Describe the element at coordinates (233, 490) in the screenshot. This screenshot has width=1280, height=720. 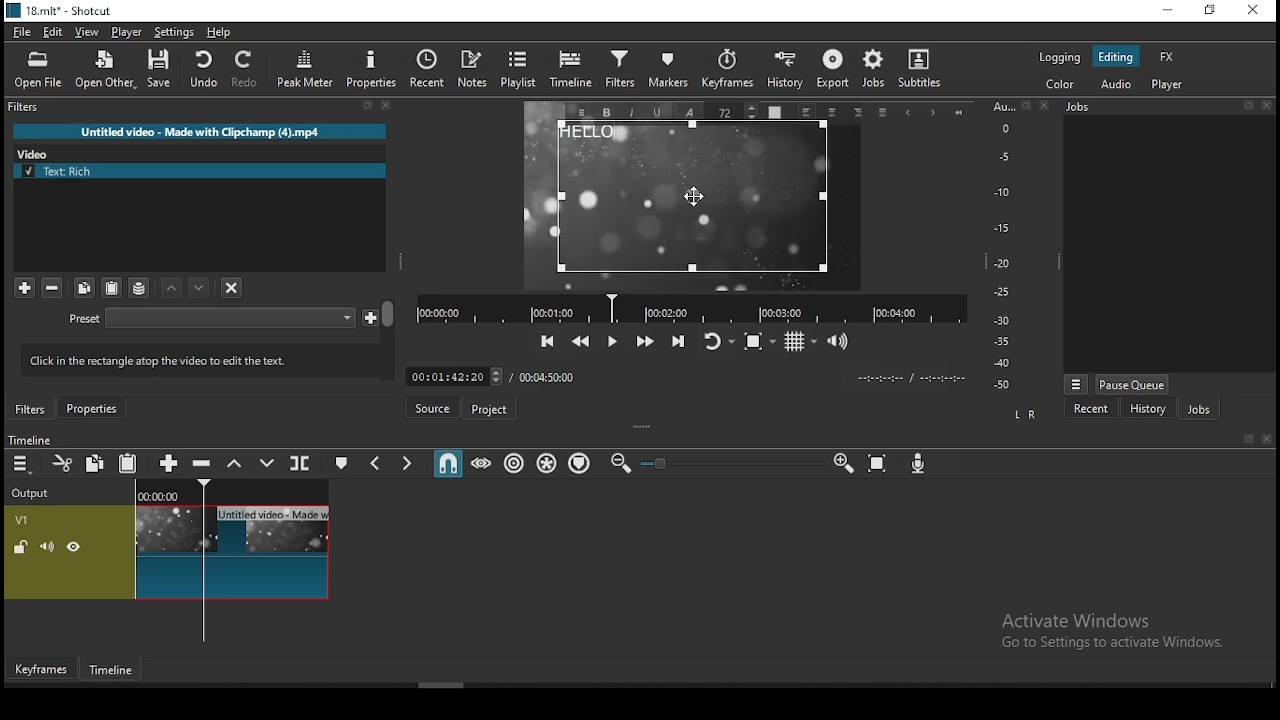
I see `Timeline` at that location.